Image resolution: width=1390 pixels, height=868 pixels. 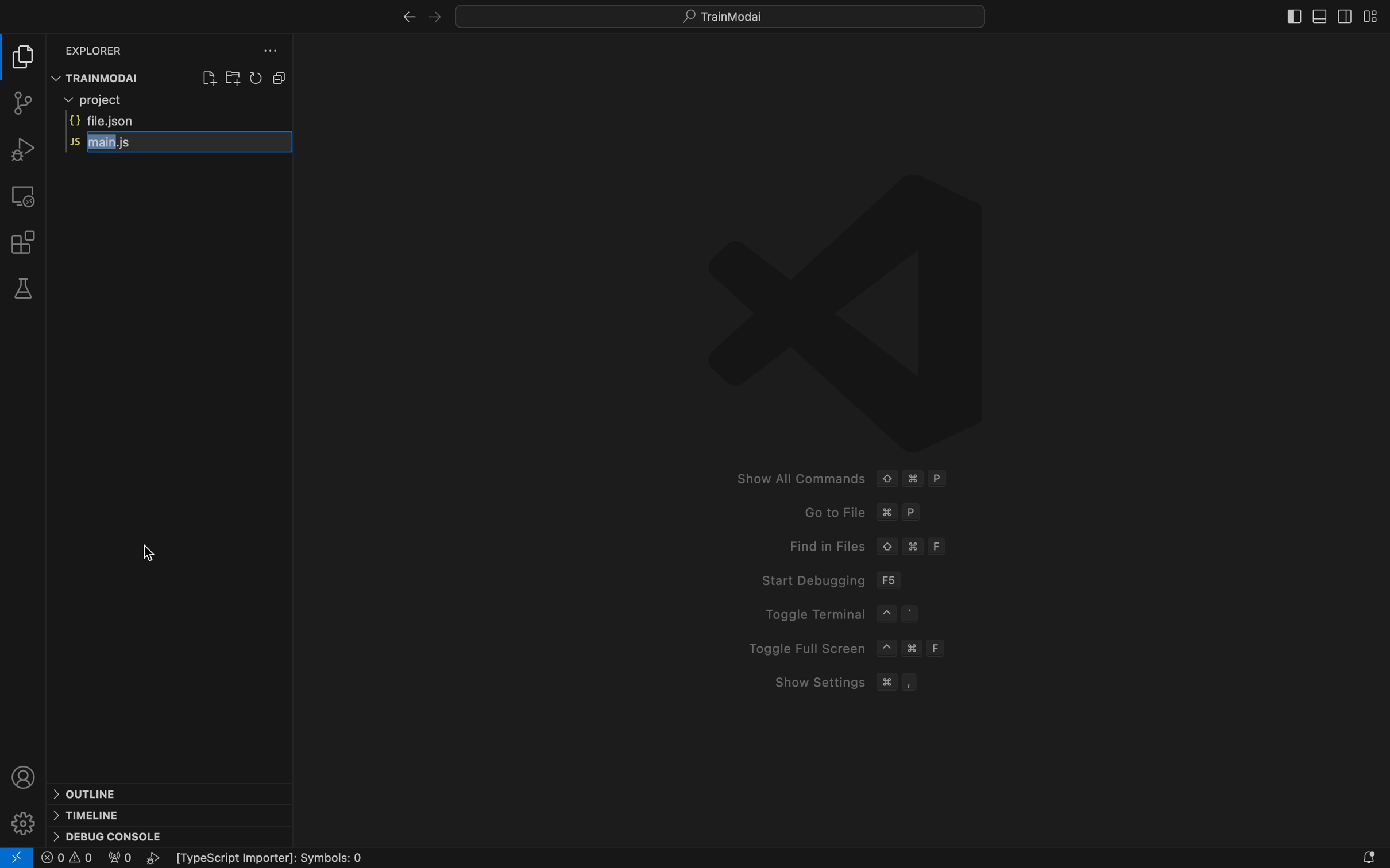 I want to click on file.json, so click(x=171, y=122).